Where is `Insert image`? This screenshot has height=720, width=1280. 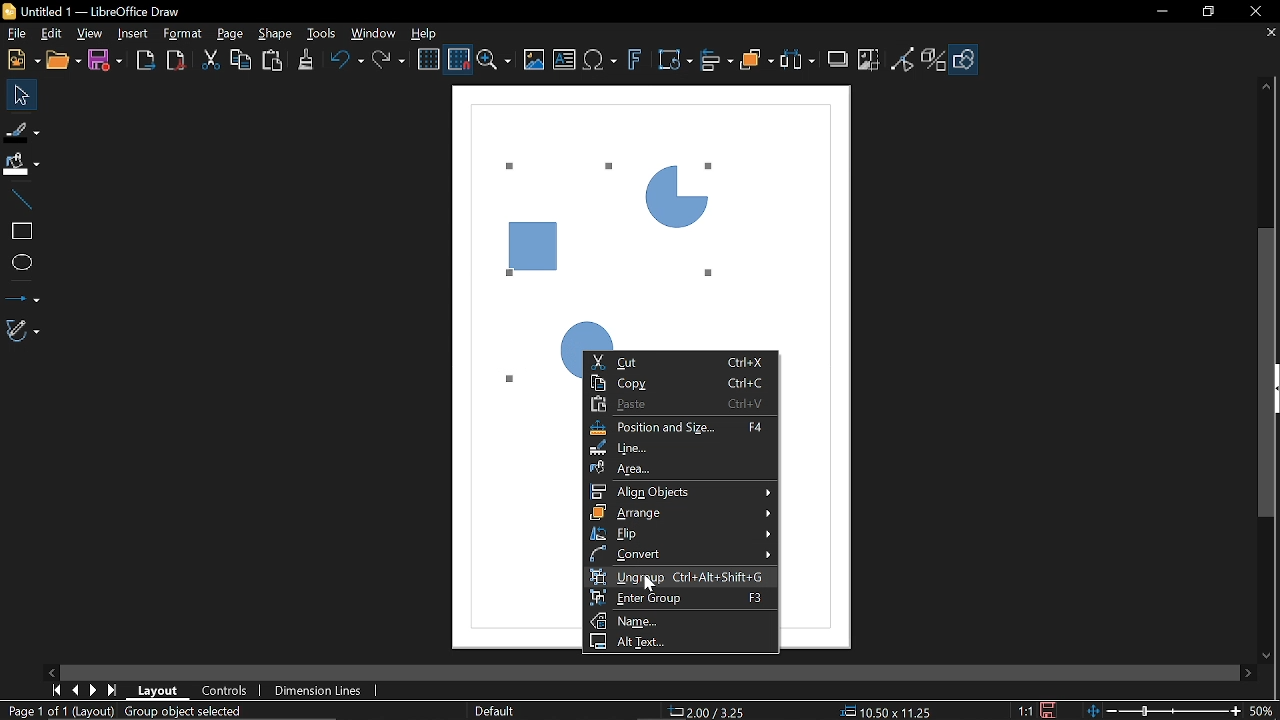
Insert image is located at coordinates (534, 60).